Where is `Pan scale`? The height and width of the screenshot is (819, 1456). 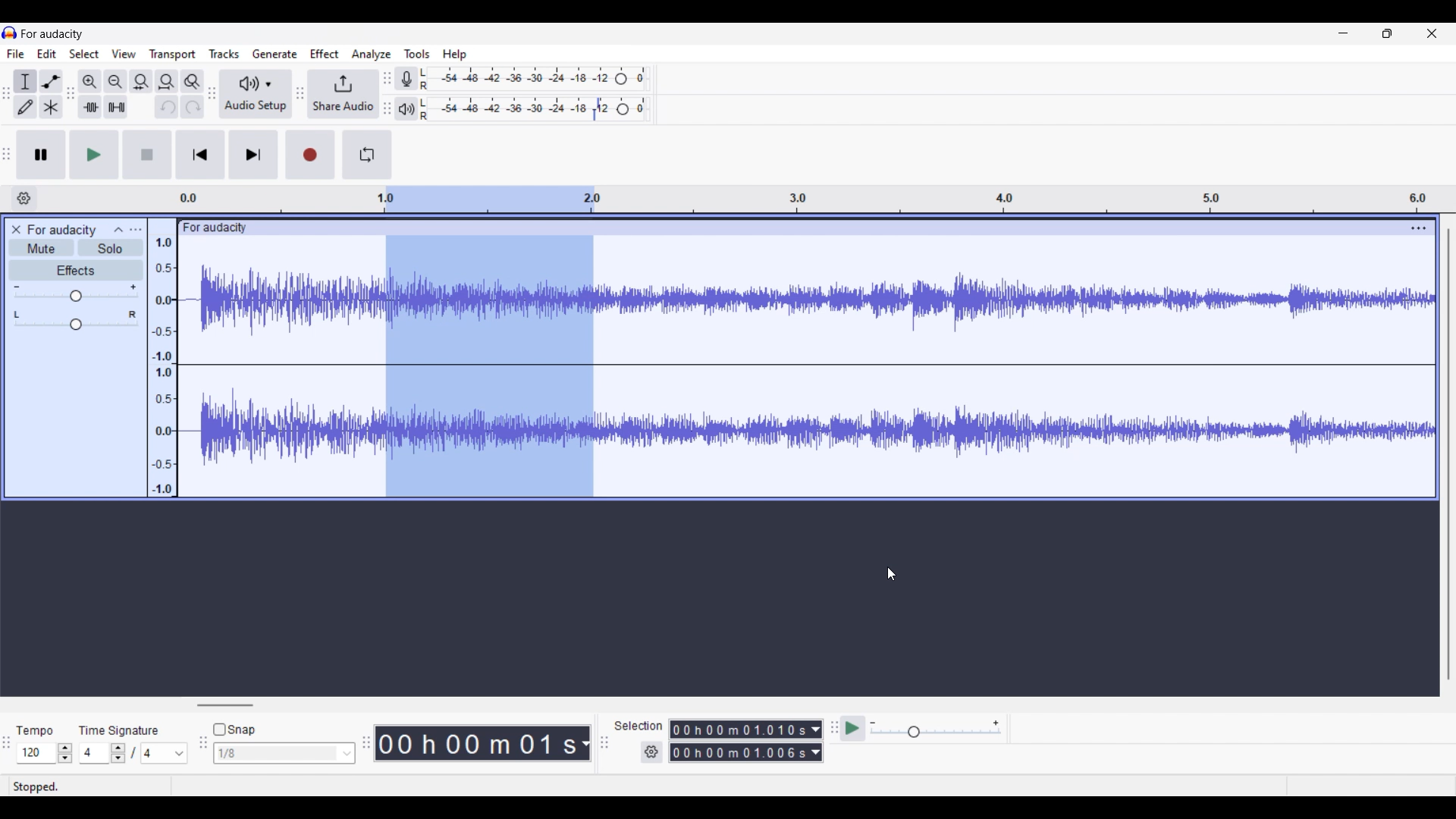
Pan scale is located at coordinates (75, 320).